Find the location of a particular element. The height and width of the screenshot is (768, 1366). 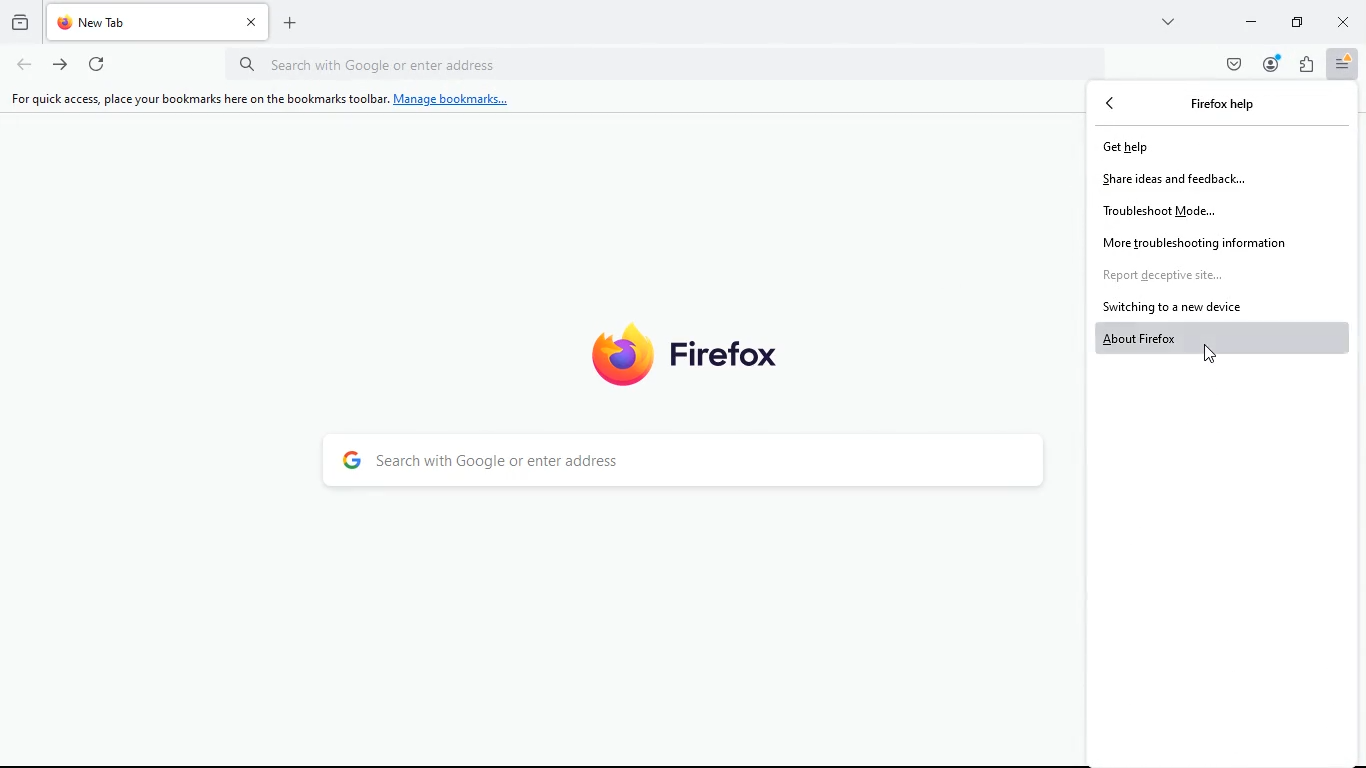

about firefox is located at coordinates (1224, 337).